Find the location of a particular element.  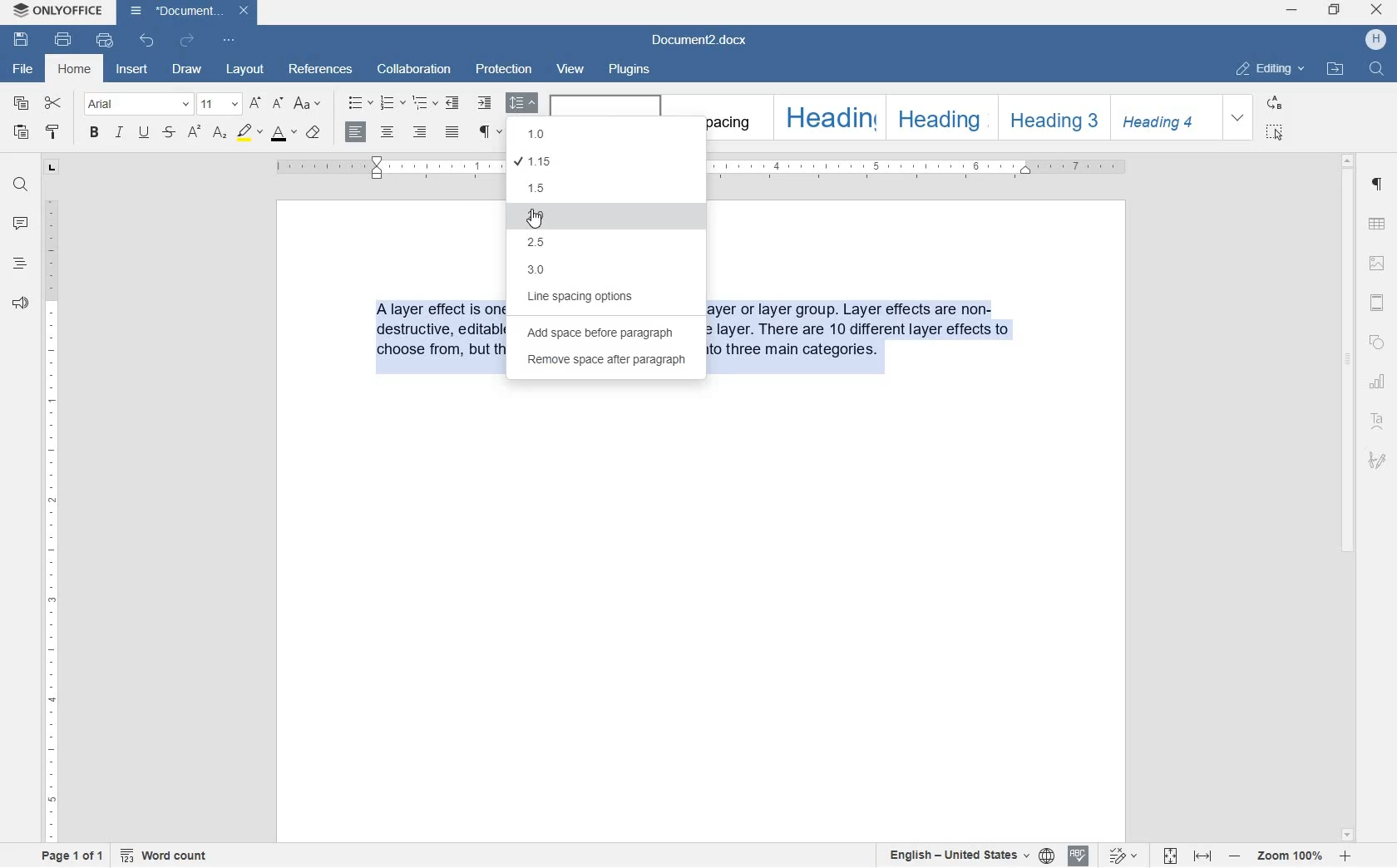

home is located at coordinates (76, 70).